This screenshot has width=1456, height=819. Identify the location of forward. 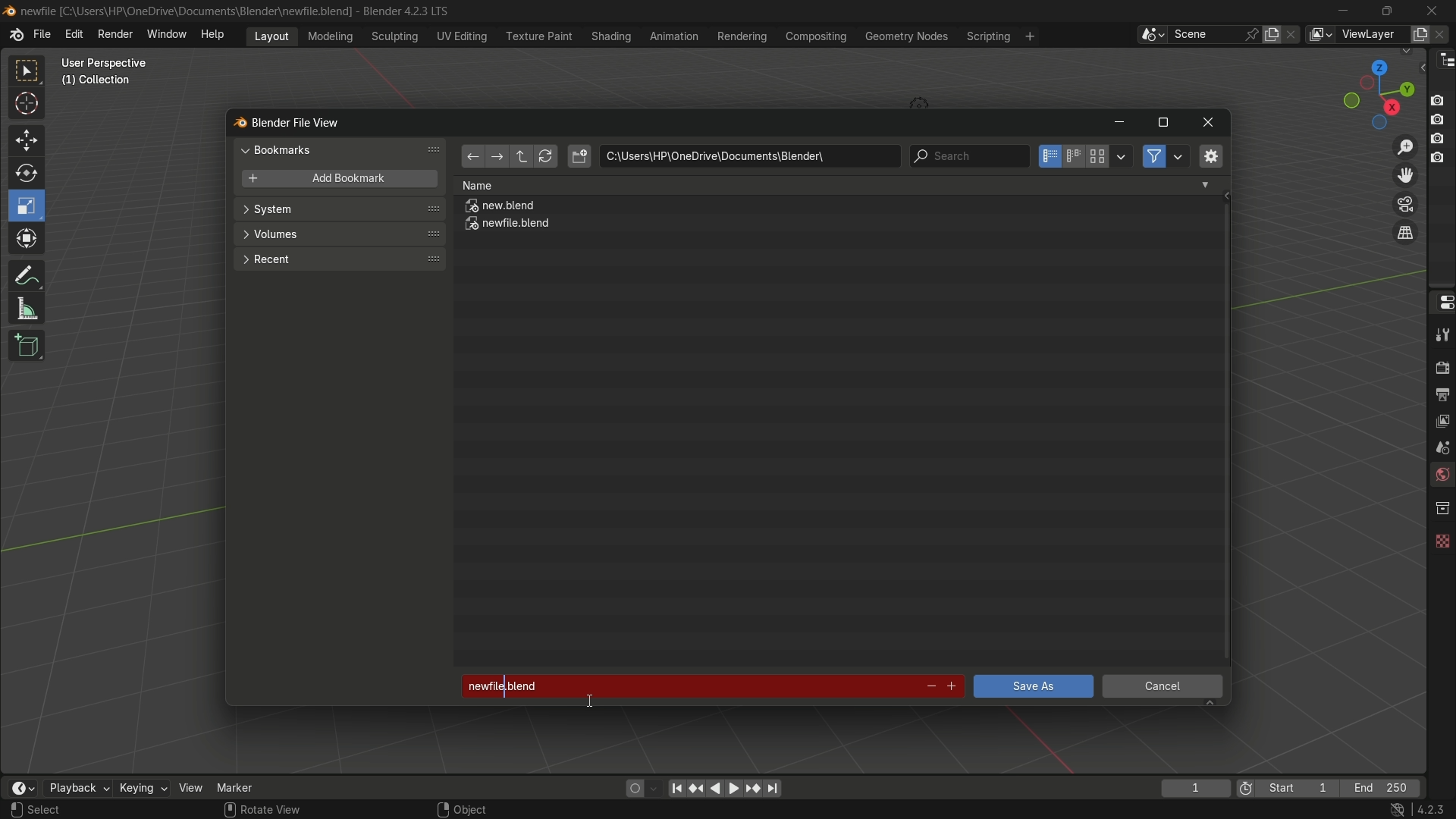
(495, 158).